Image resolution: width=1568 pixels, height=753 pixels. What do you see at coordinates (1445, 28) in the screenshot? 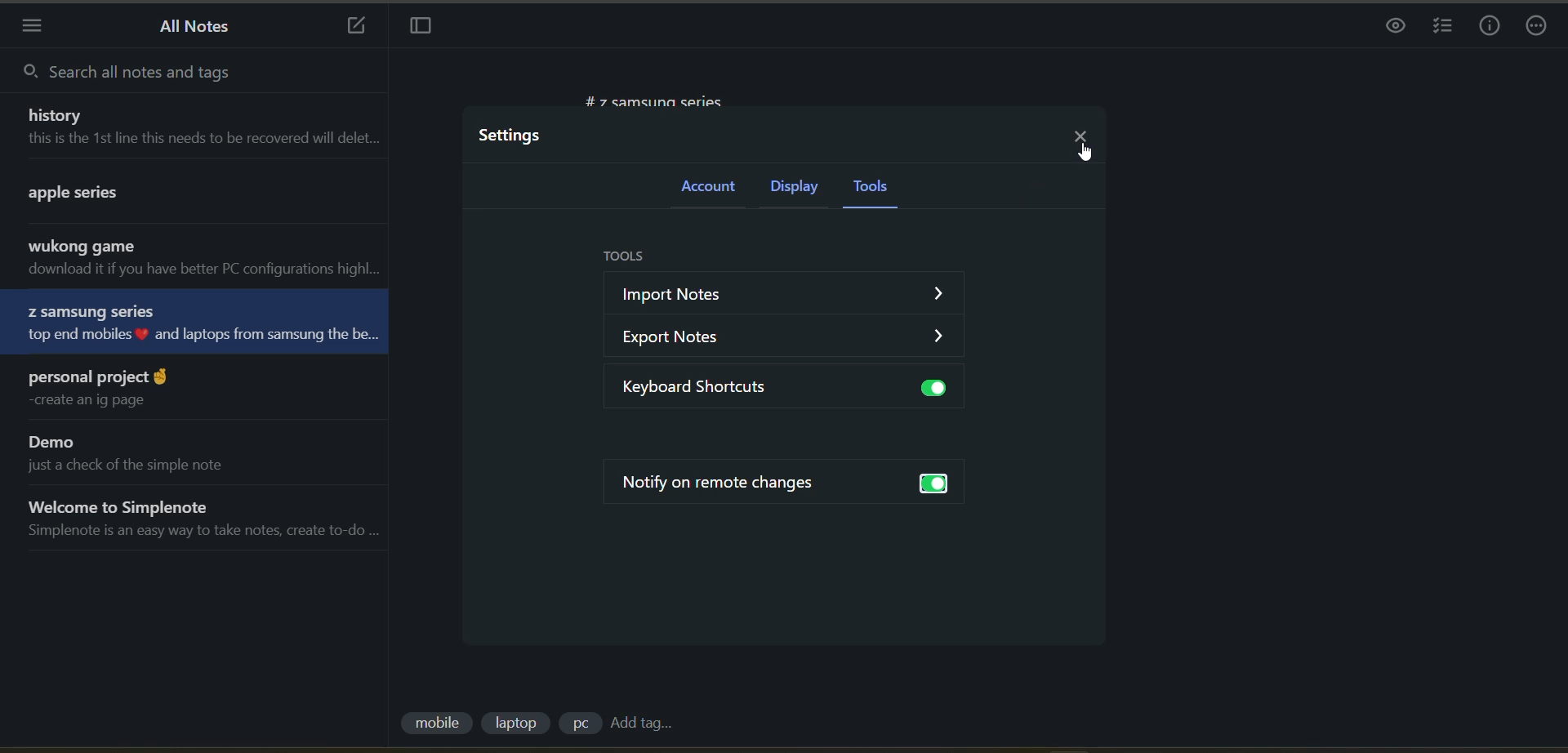
I see `insert checklist` at bounding box center [1445, 28].